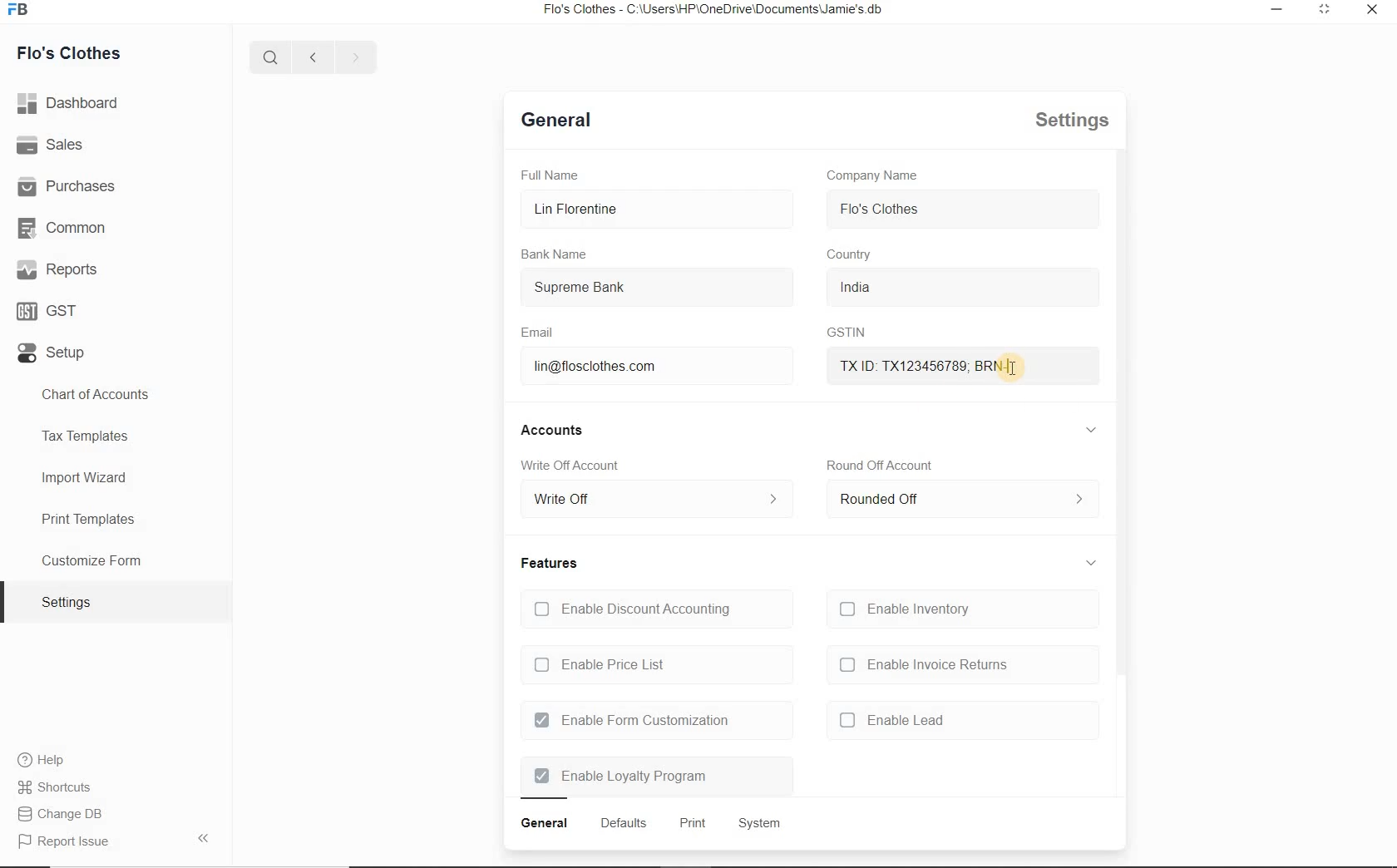 The image size is (1397, 868). Describe the element at coordinates (67, 601) in the screenshot. I see `settings` at that location.